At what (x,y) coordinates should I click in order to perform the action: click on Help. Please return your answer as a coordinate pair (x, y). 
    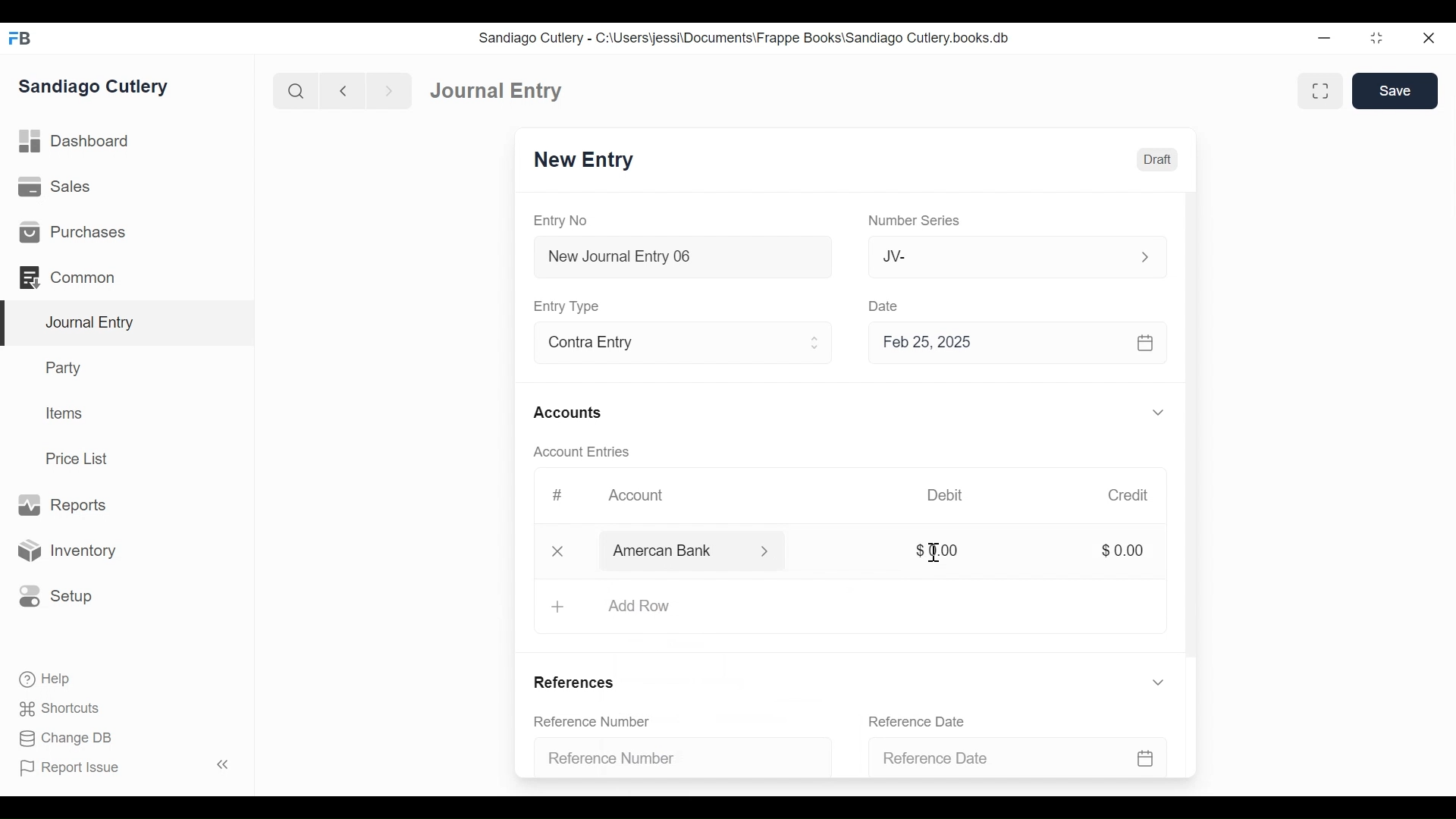
    Looking at the image, I should click on (43, 678).